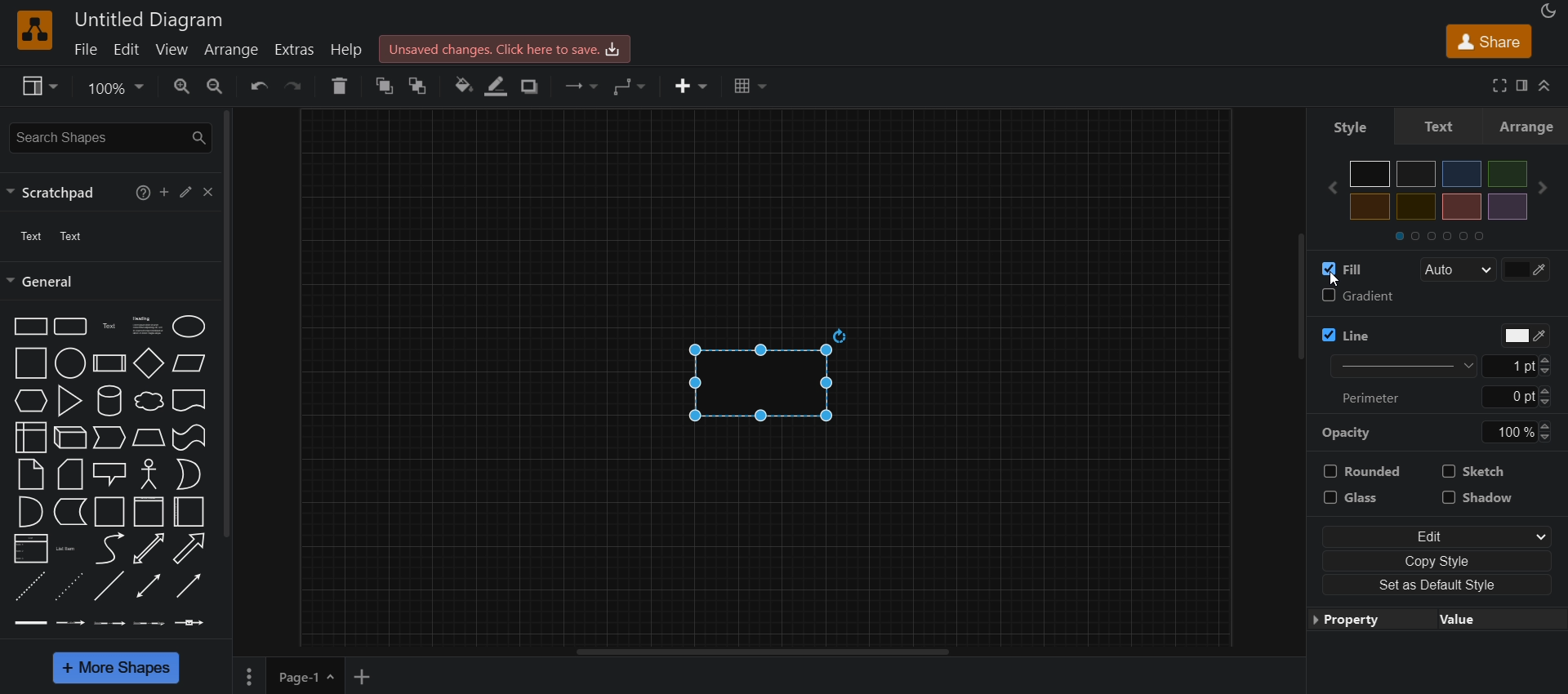 The image size is (1568, 694). I want to click on redo, so click(299, 85).